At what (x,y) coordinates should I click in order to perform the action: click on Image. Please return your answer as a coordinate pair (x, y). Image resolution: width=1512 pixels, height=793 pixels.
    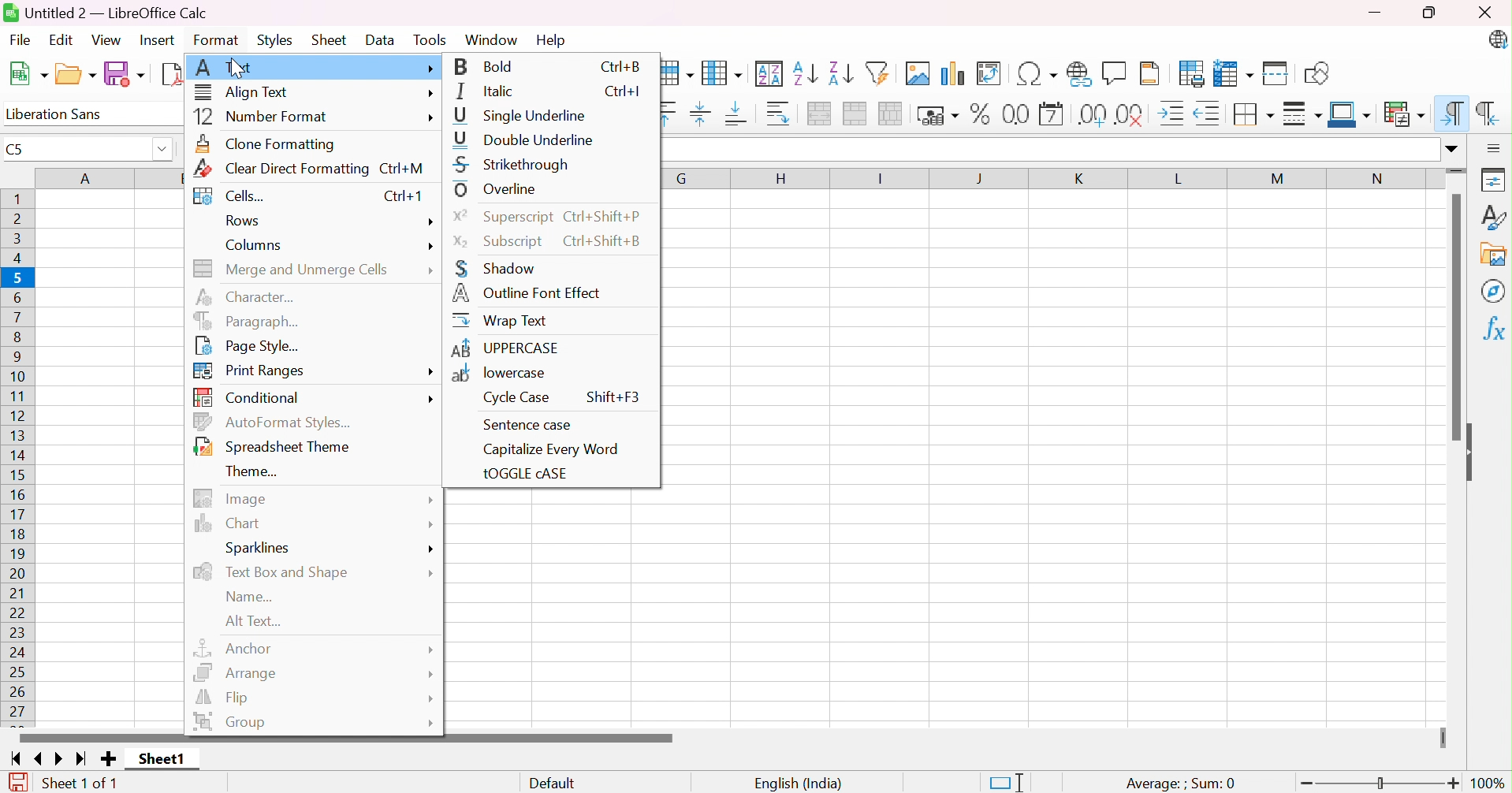
    Looking at the image, I should click on (227, 498).